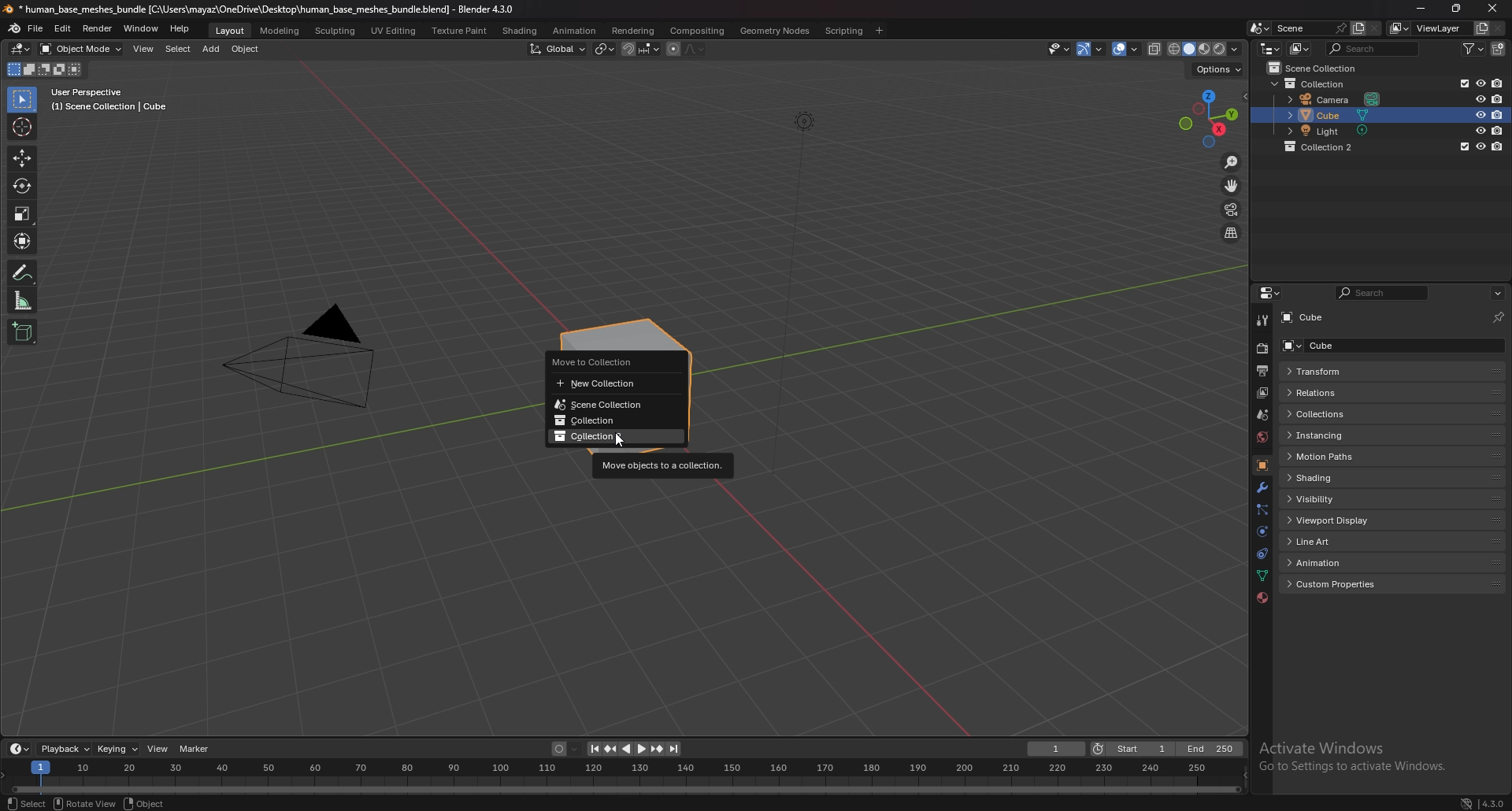 This screenshot has height=811, width=1512. What do you see at coordinates (1339, 98) in the screenshot?
I see `camera` at bounding box center [1339, 98].